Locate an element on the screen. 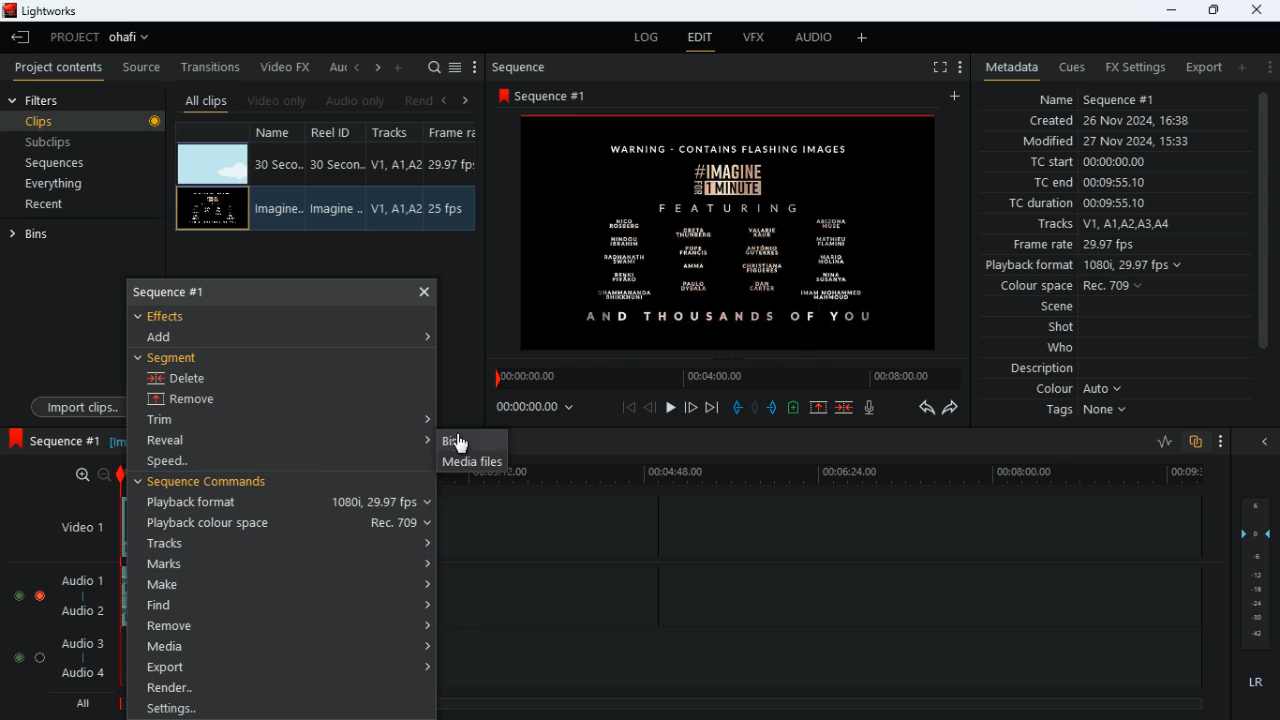 The image size is (1280, 720). right is located at coordinates (379, 69).